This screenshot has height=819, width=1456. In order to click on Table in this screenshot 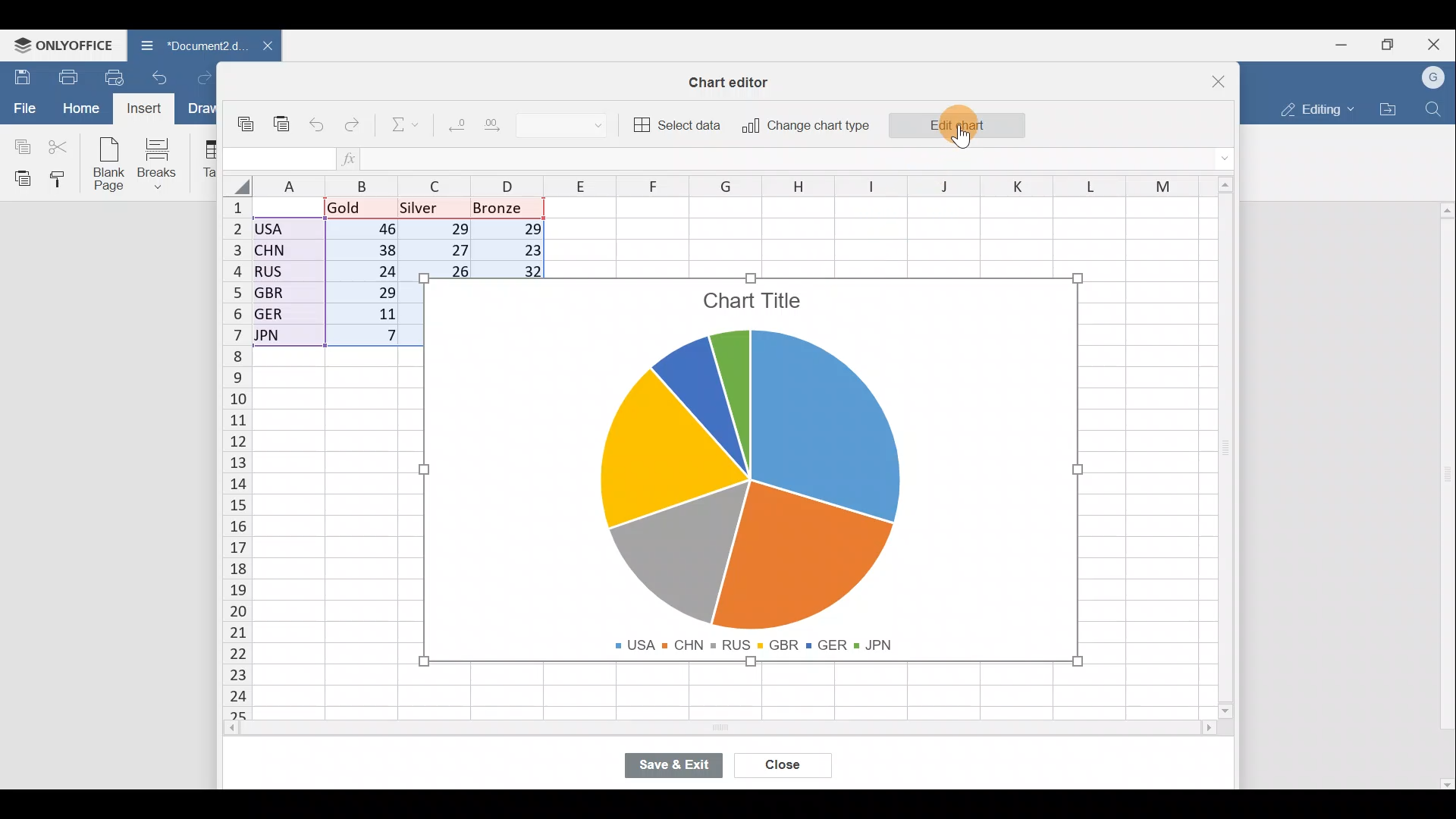, I will do `click(205, 159)`.